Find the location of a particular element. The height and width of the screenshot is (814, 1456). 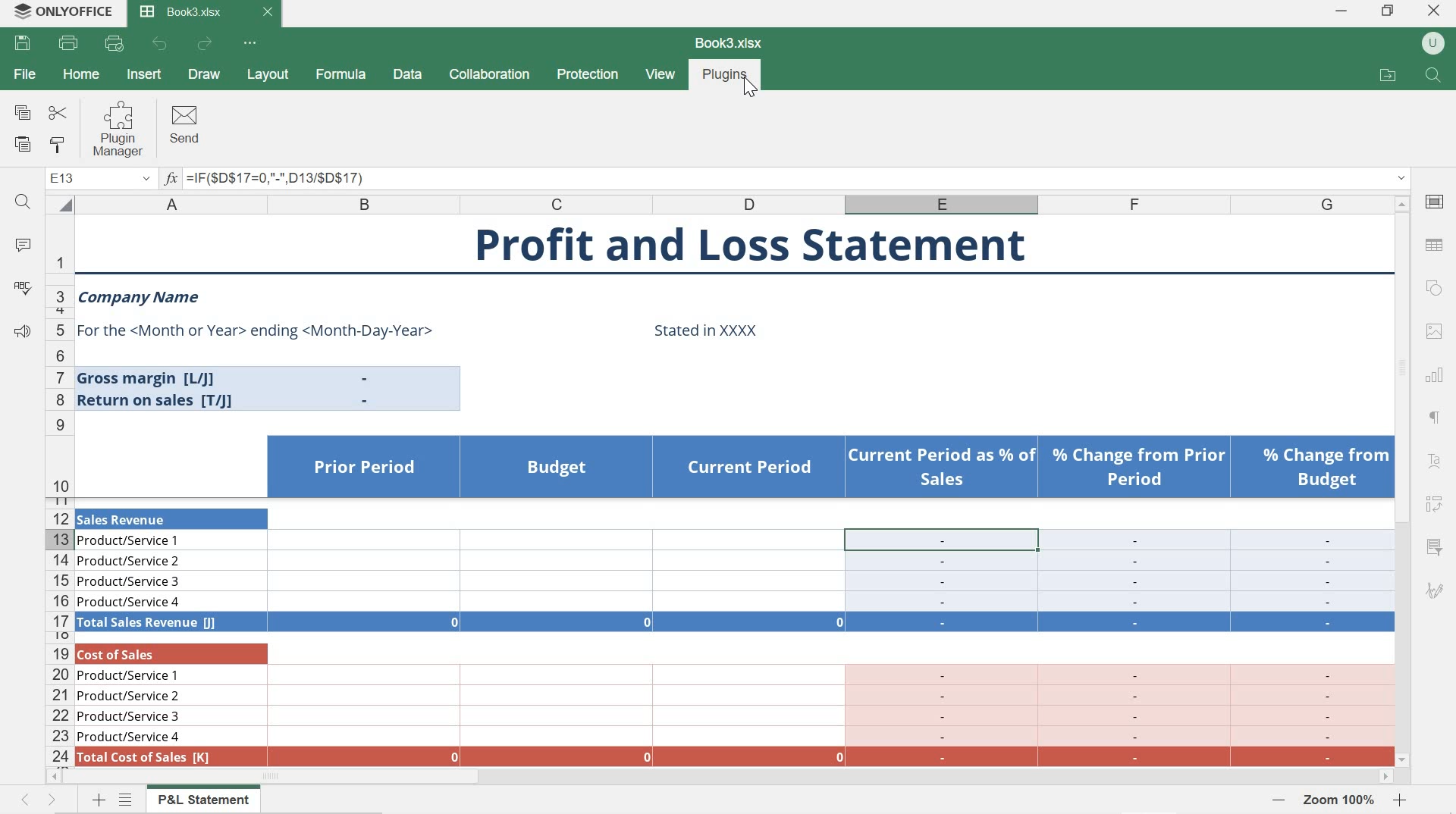

Home is located at coordinates (83, 74).